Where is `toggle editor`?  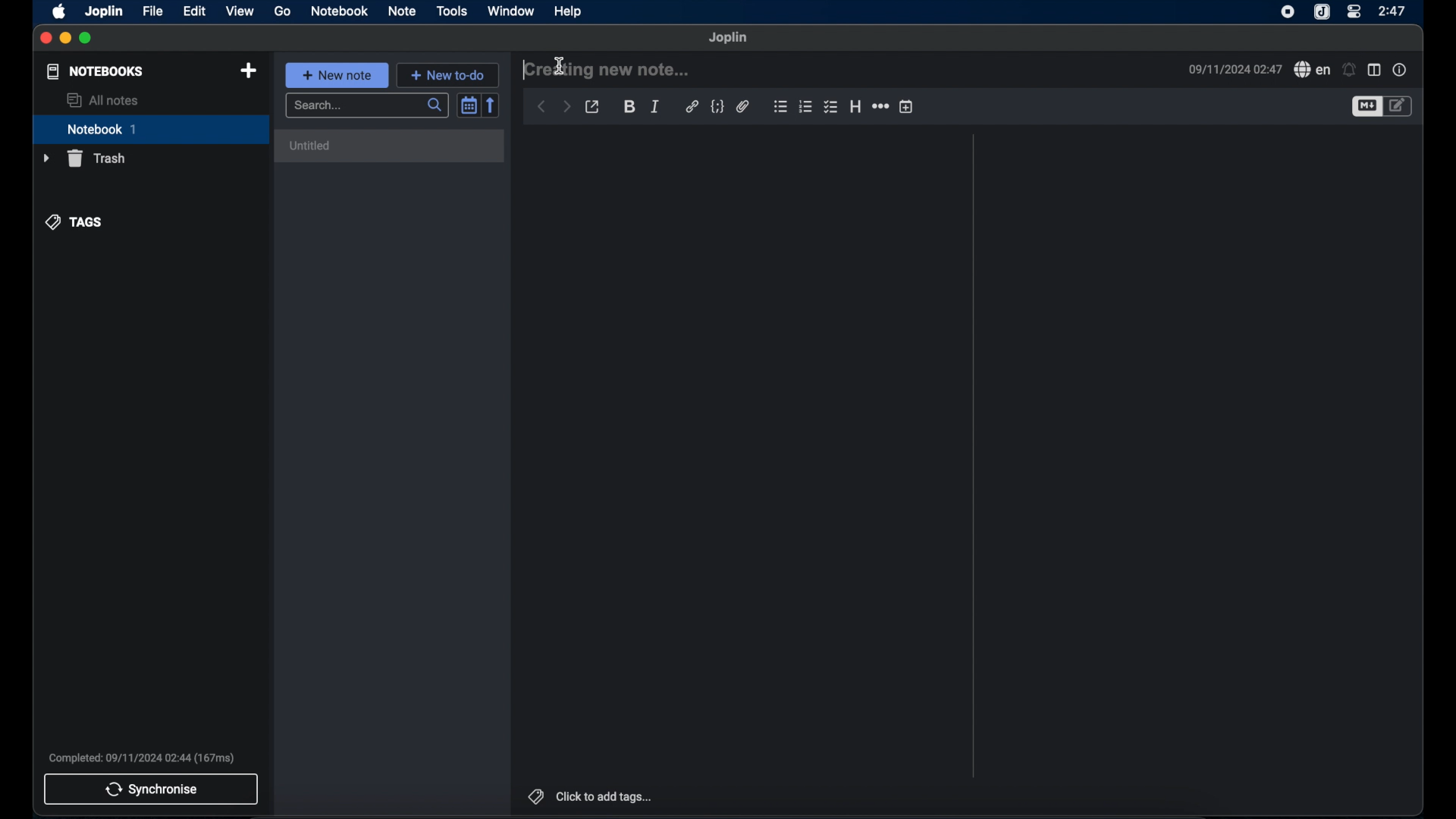
toggle editor is located at coordinates (1401, 105).